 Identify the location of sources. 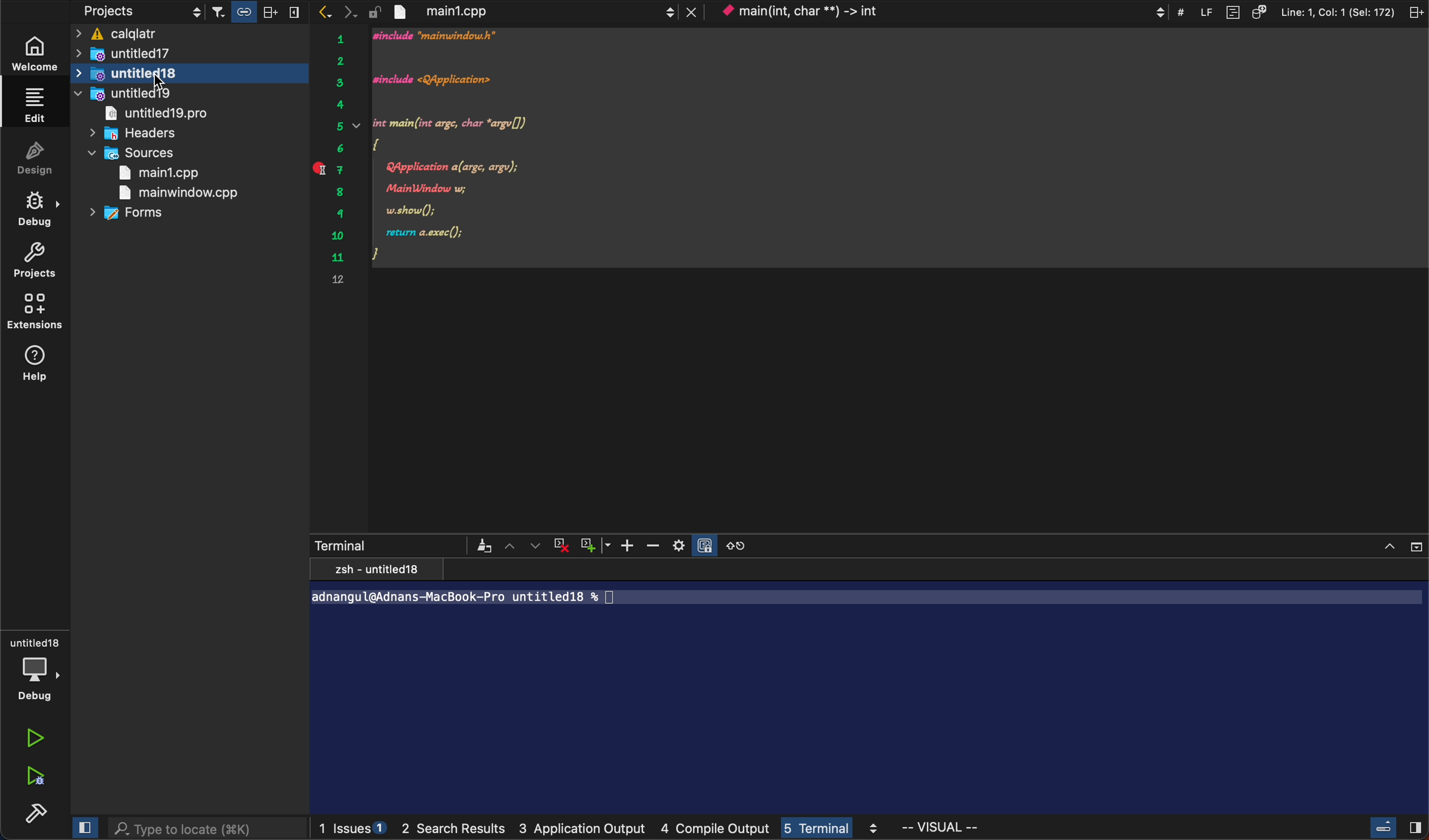
(141, 152).